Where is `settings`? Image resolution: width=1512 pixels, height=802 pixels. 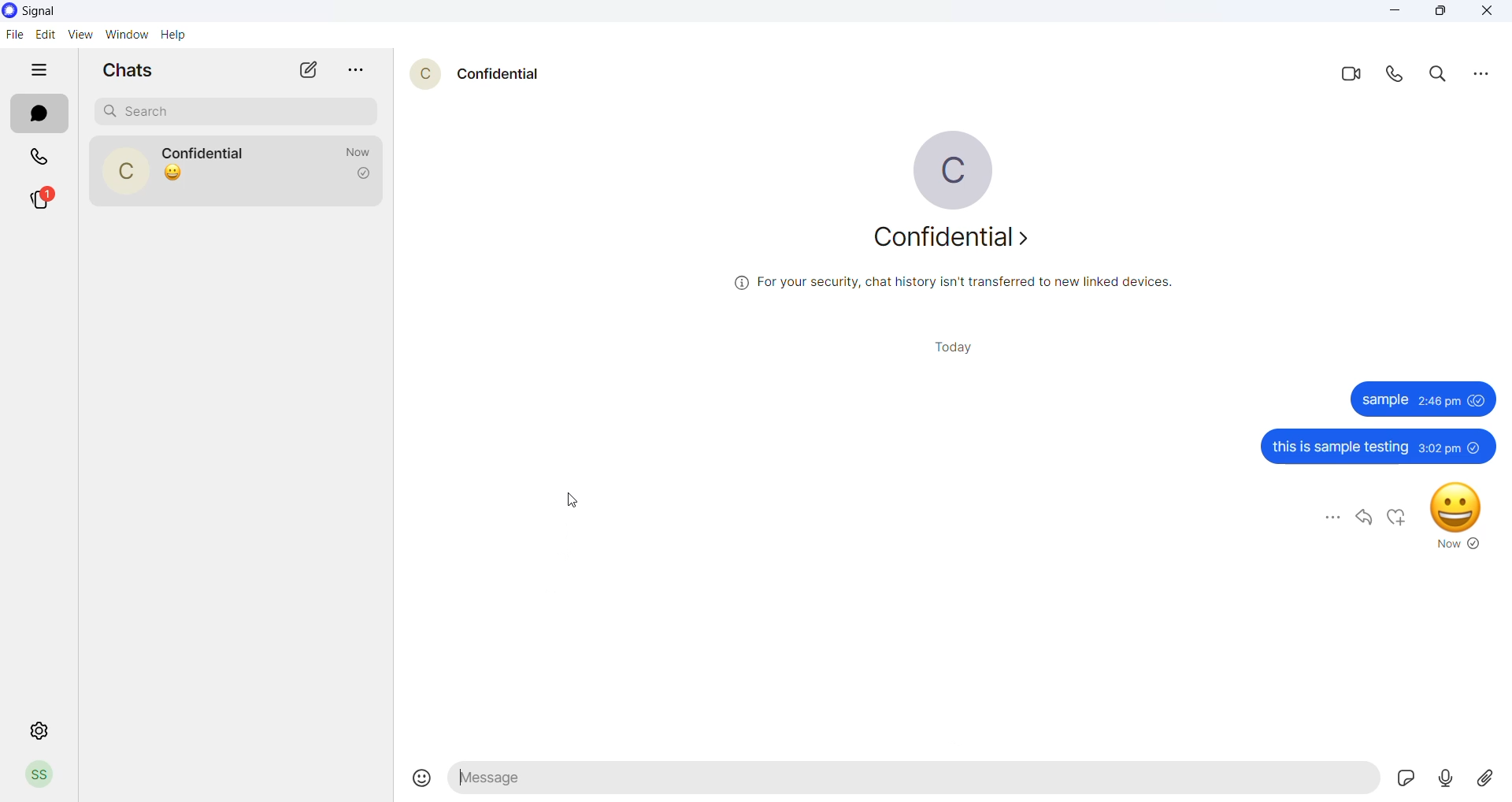 settings is located at coordinates (32, 732).